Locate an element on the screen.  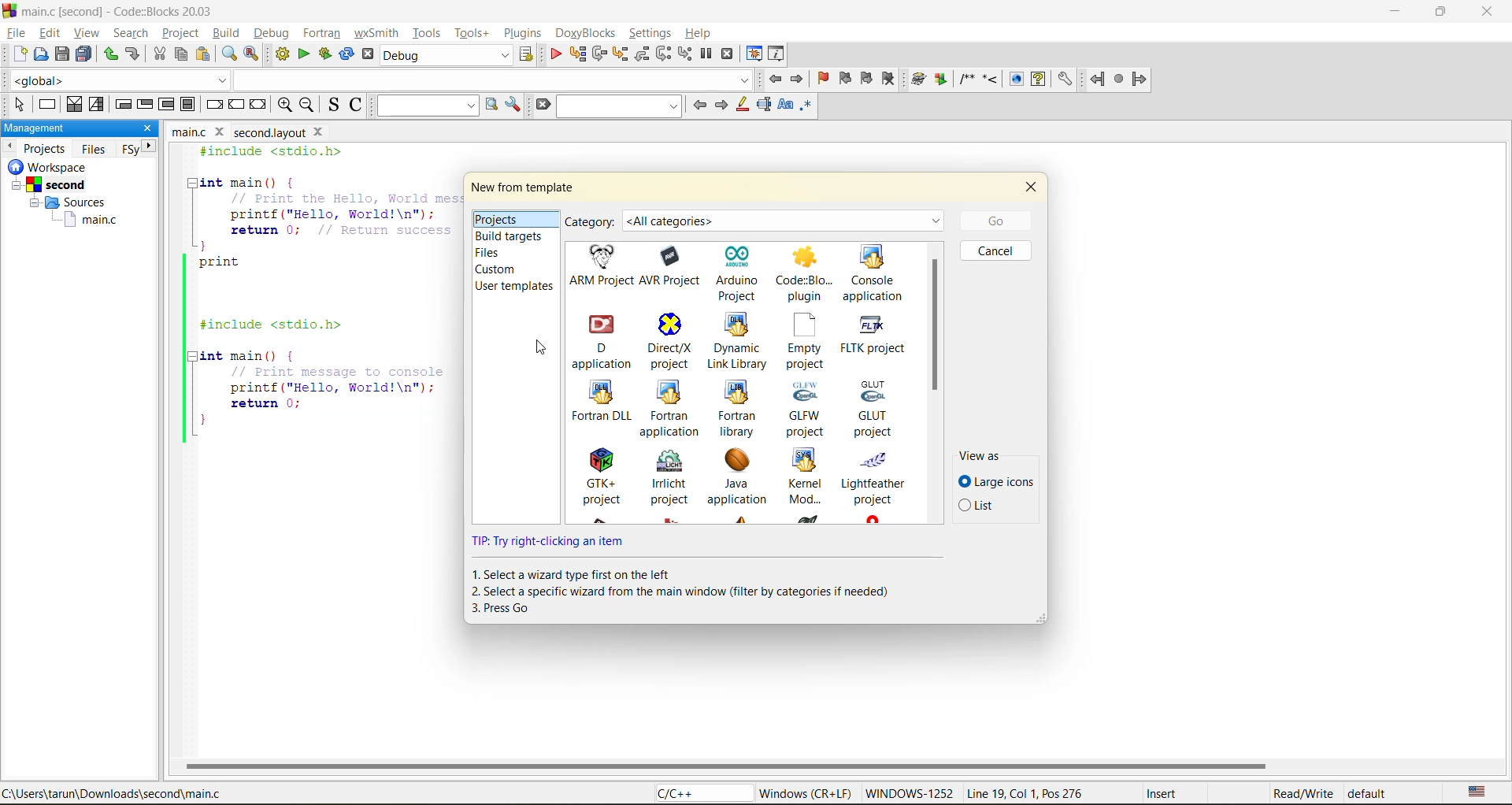
arm project is located at coordinates (599, 265).